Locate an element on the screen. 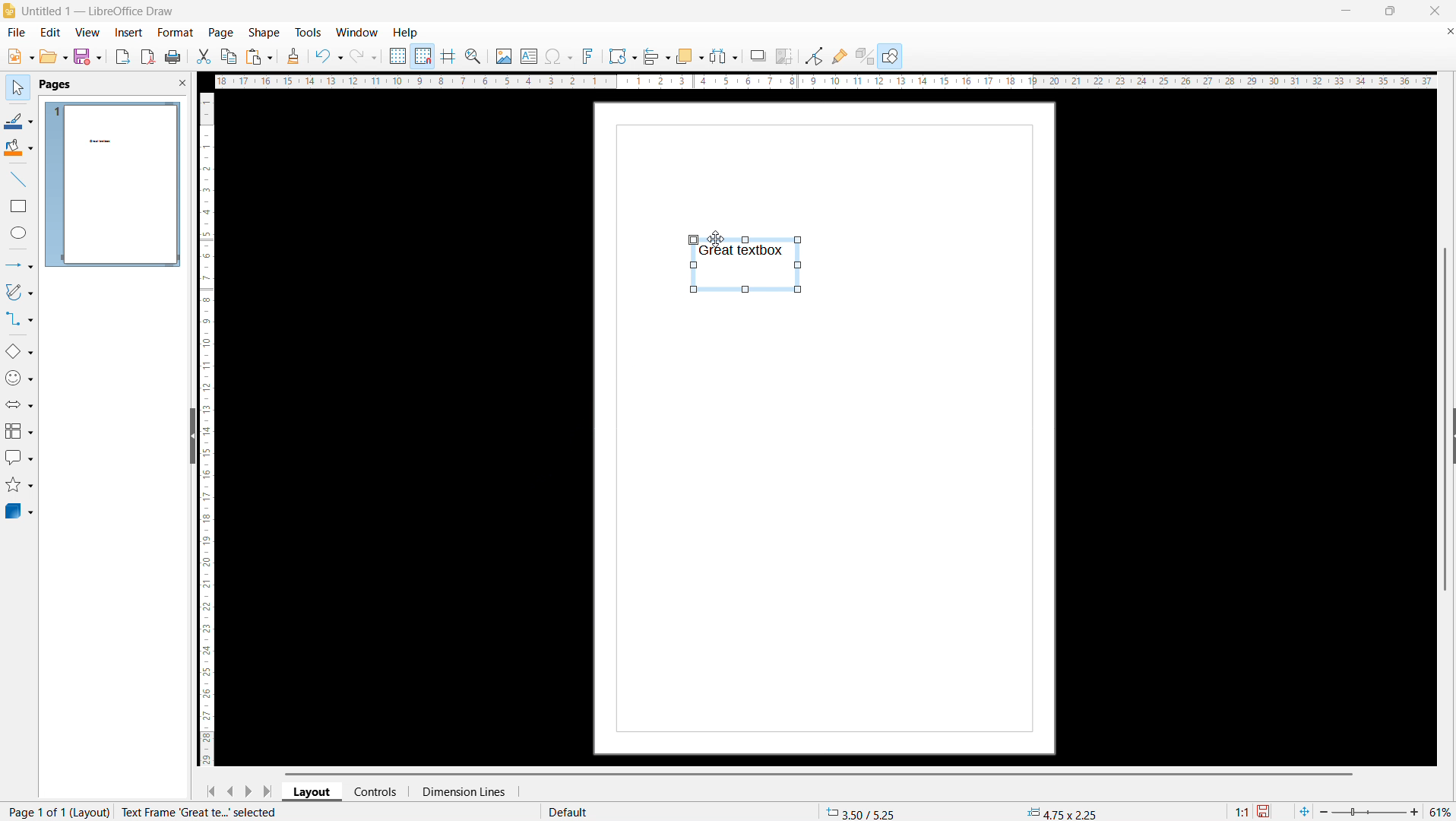  page number is located at coordinates (137, 813).